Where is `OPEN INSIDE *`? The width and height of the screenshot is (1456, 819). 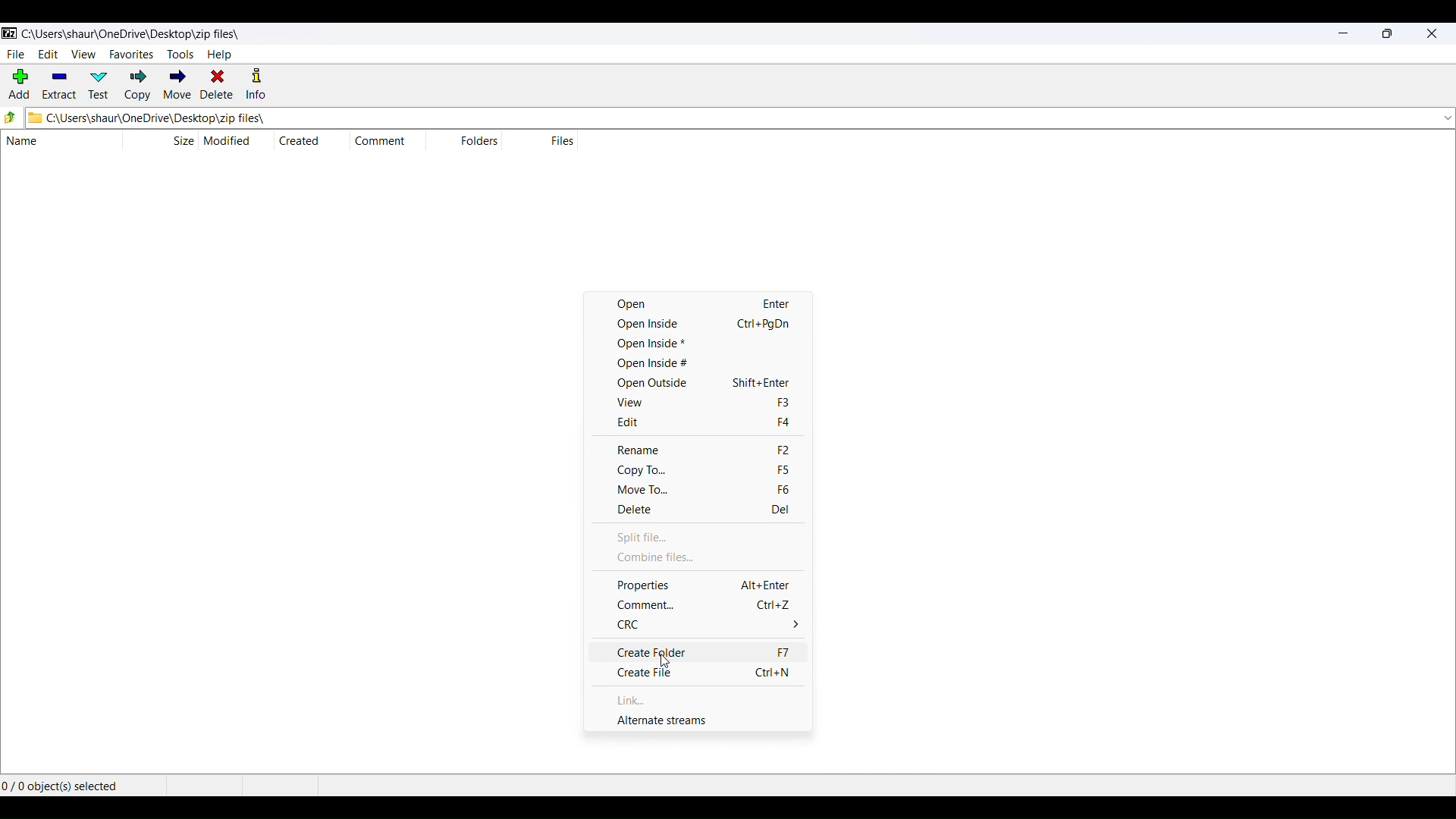 OPEN INSIDE * is located at coordinates (704, 344).